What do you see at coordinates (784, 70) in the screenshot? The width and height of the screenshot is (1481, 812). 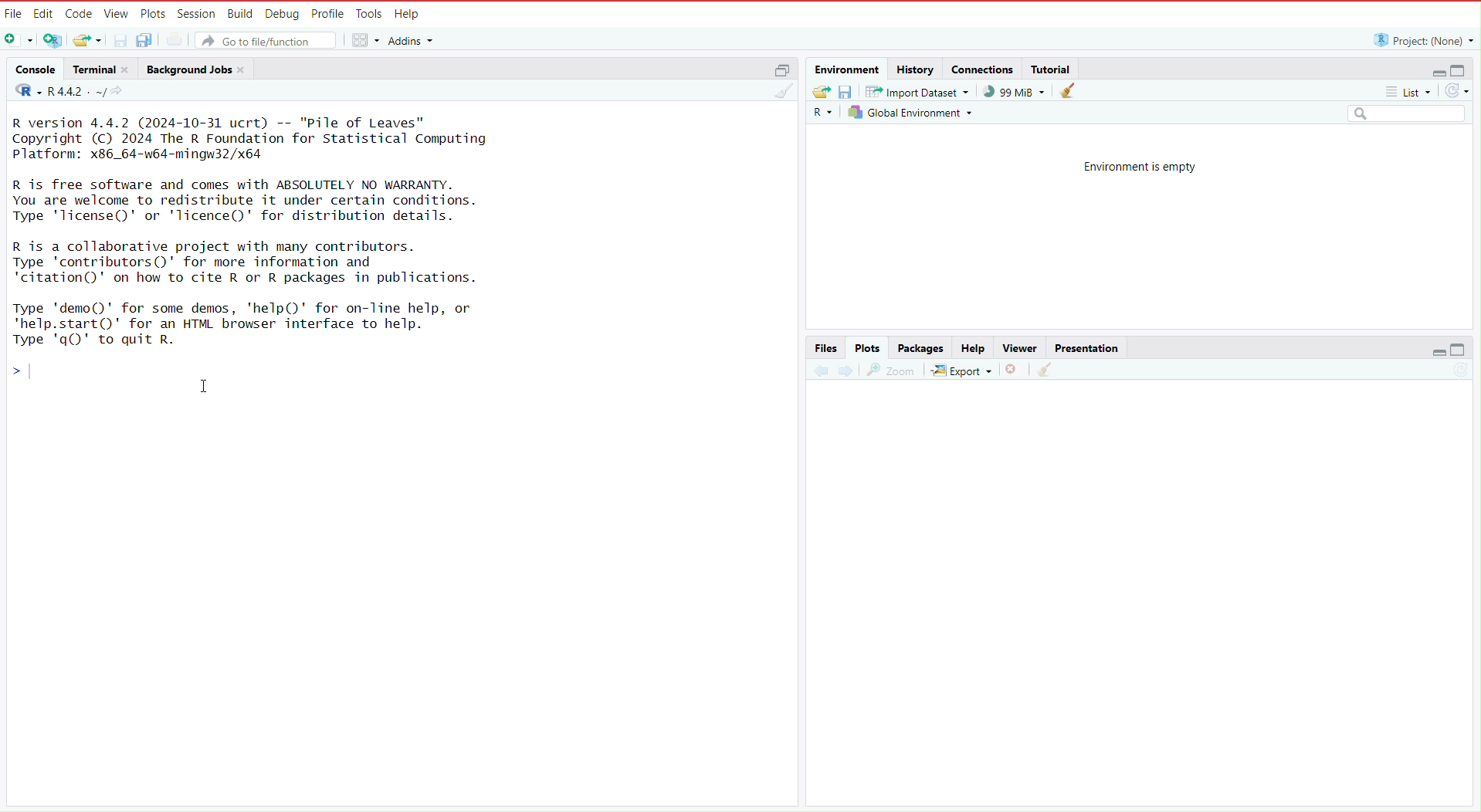 I see `maximize` at bounding box center [784, 70].